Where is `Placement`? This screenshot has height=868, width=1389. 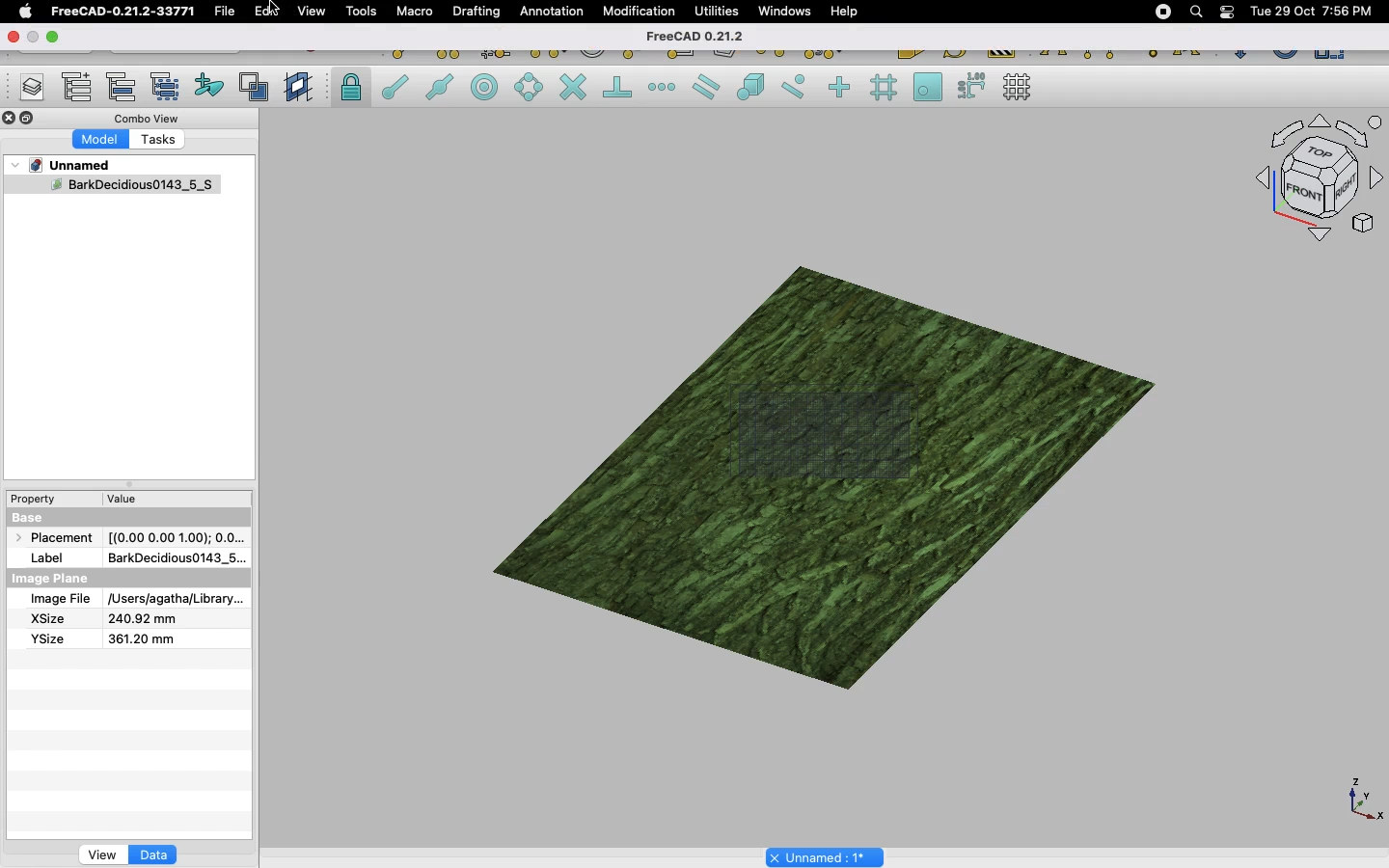
Placement is located at coordinates (58, 539).